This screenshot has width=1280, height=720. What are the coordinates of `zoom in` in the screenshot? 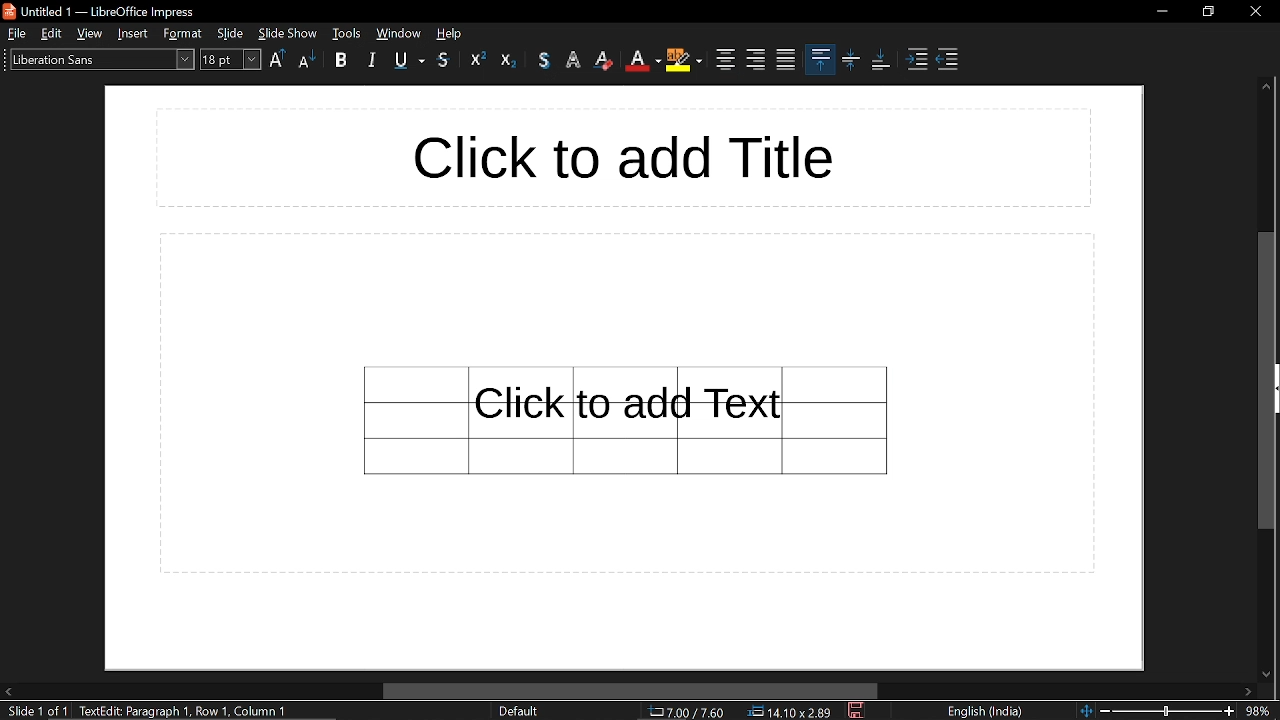 It's located at (1229, 711).